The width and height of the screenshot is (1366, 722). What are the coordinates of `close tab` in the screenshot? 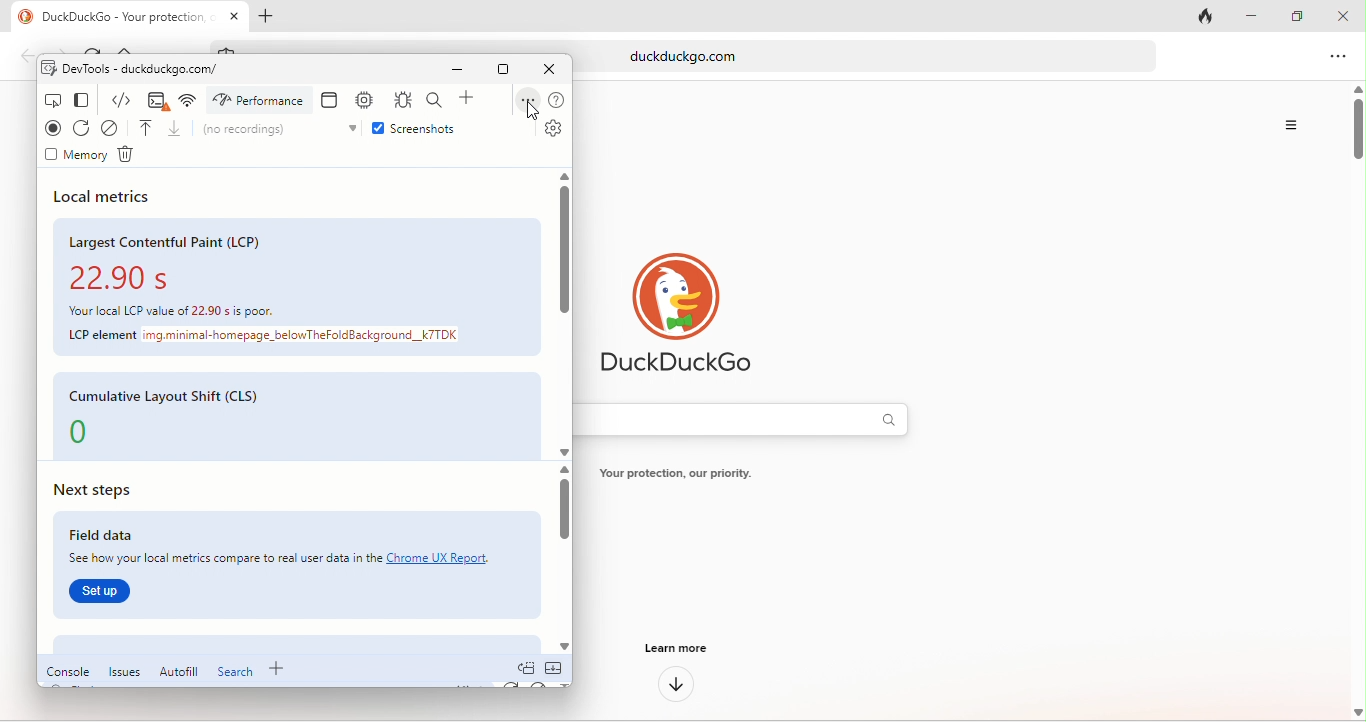 It's located at (235, 17).